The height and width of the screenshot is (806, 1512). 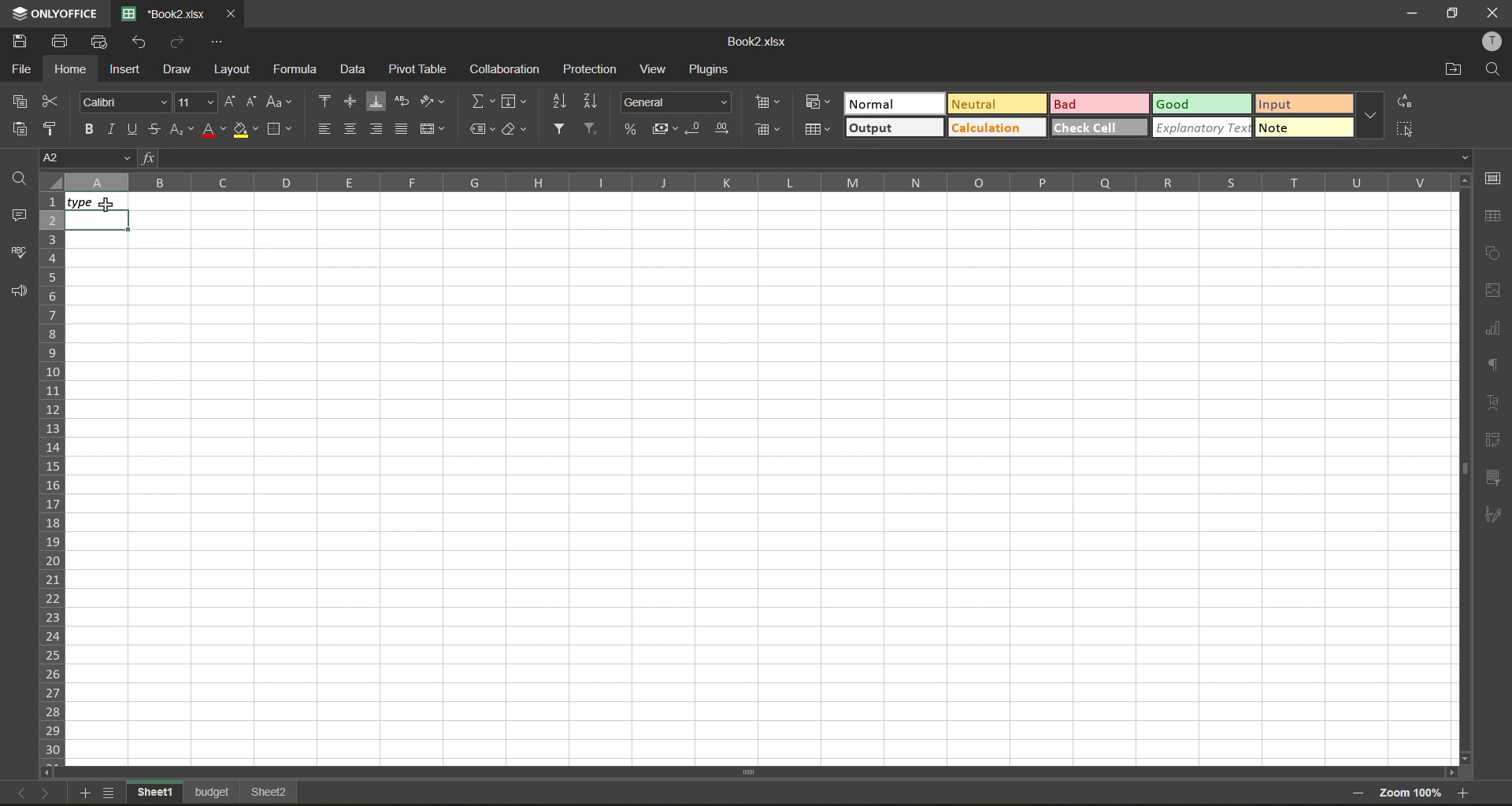 What do you see at coordinates (1492, 515) in the screenshot?
I see `signature` at bounding box center [1492, 515].